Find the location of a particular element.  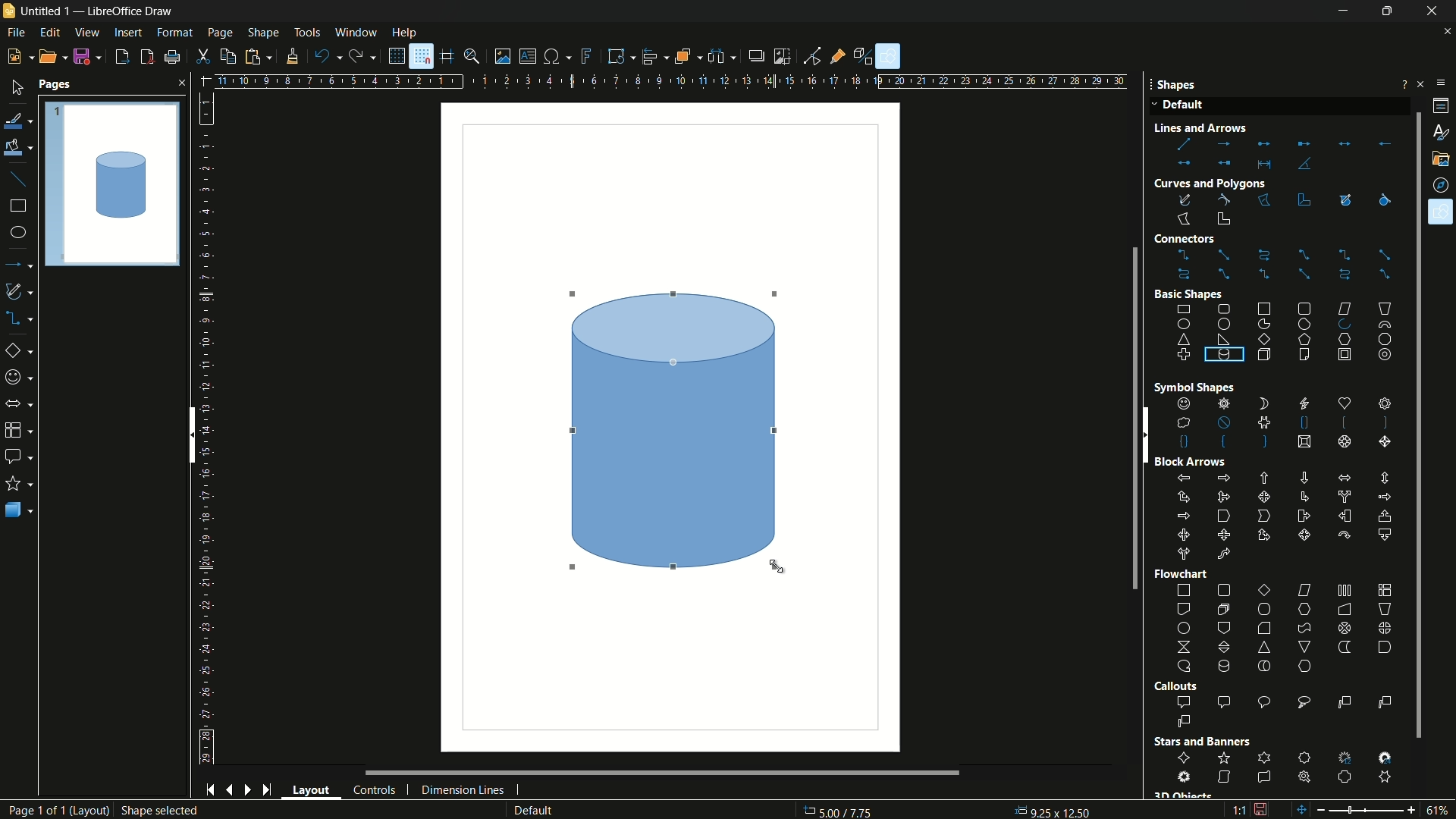

0.00 is located at coordinates (1052, 808).